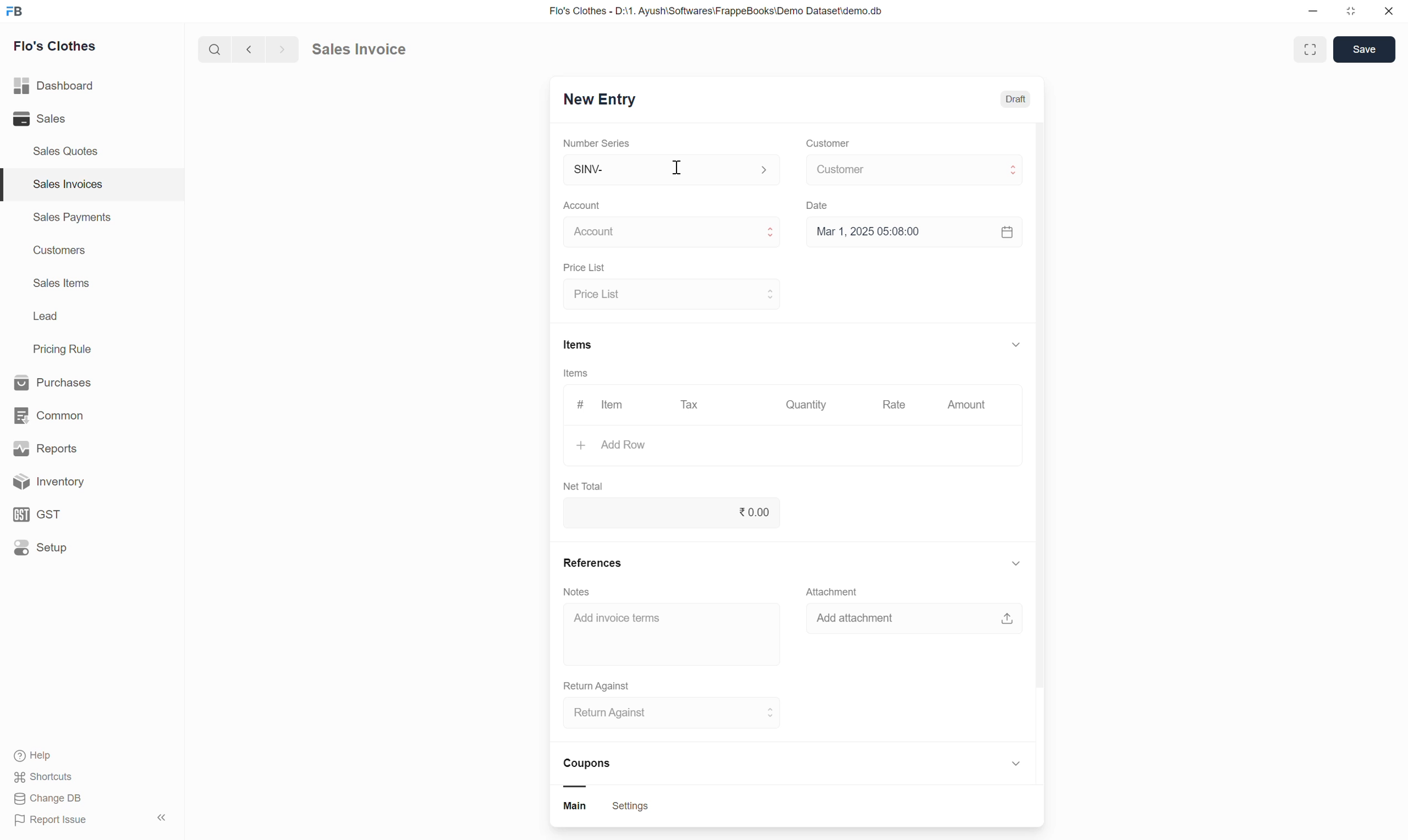 The image size is (1408, 840). Describe the element at coordinates (248, 52) in the screenshot. I see `go back ` at that location.